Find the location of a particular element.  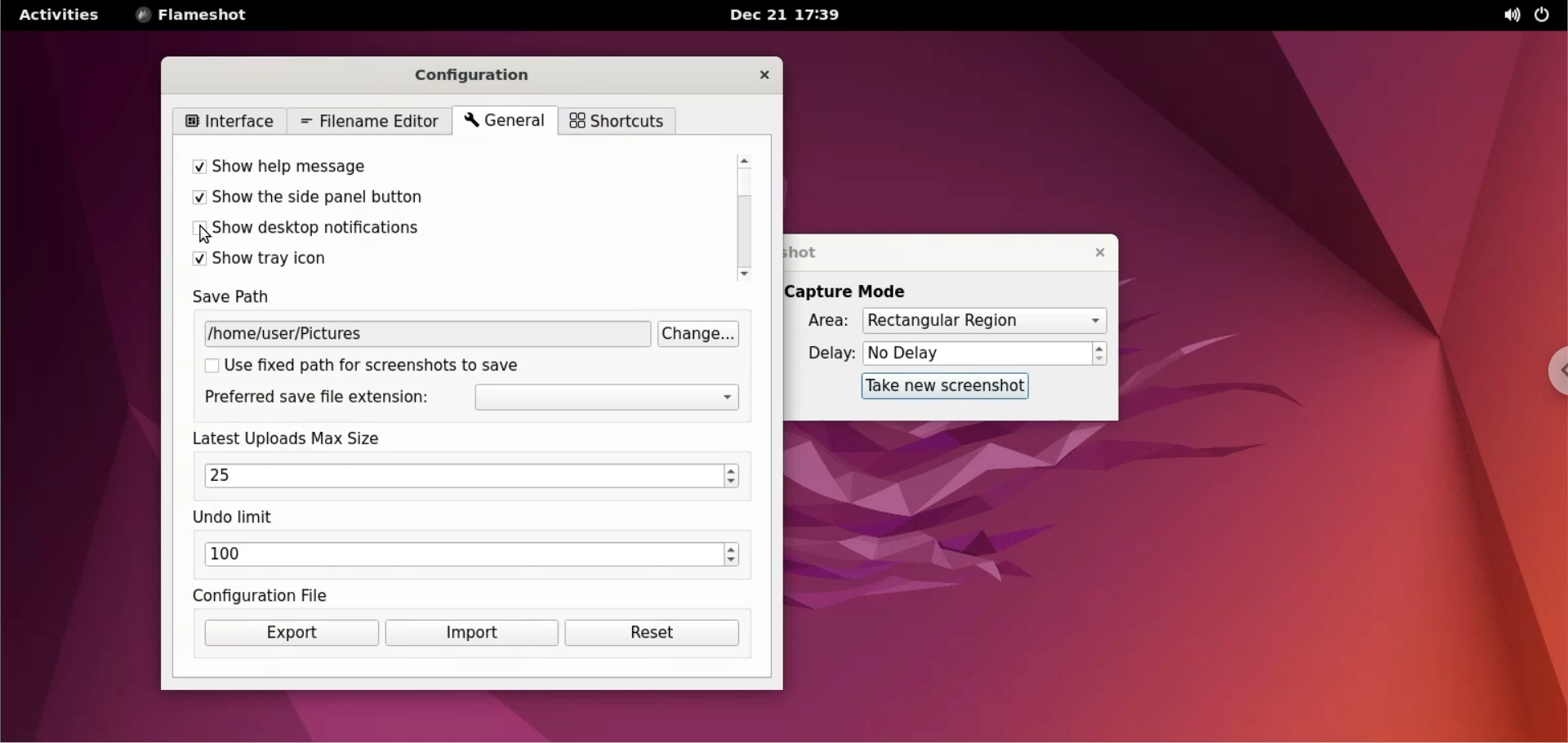

capture mode is located at coordinates (859, 291).